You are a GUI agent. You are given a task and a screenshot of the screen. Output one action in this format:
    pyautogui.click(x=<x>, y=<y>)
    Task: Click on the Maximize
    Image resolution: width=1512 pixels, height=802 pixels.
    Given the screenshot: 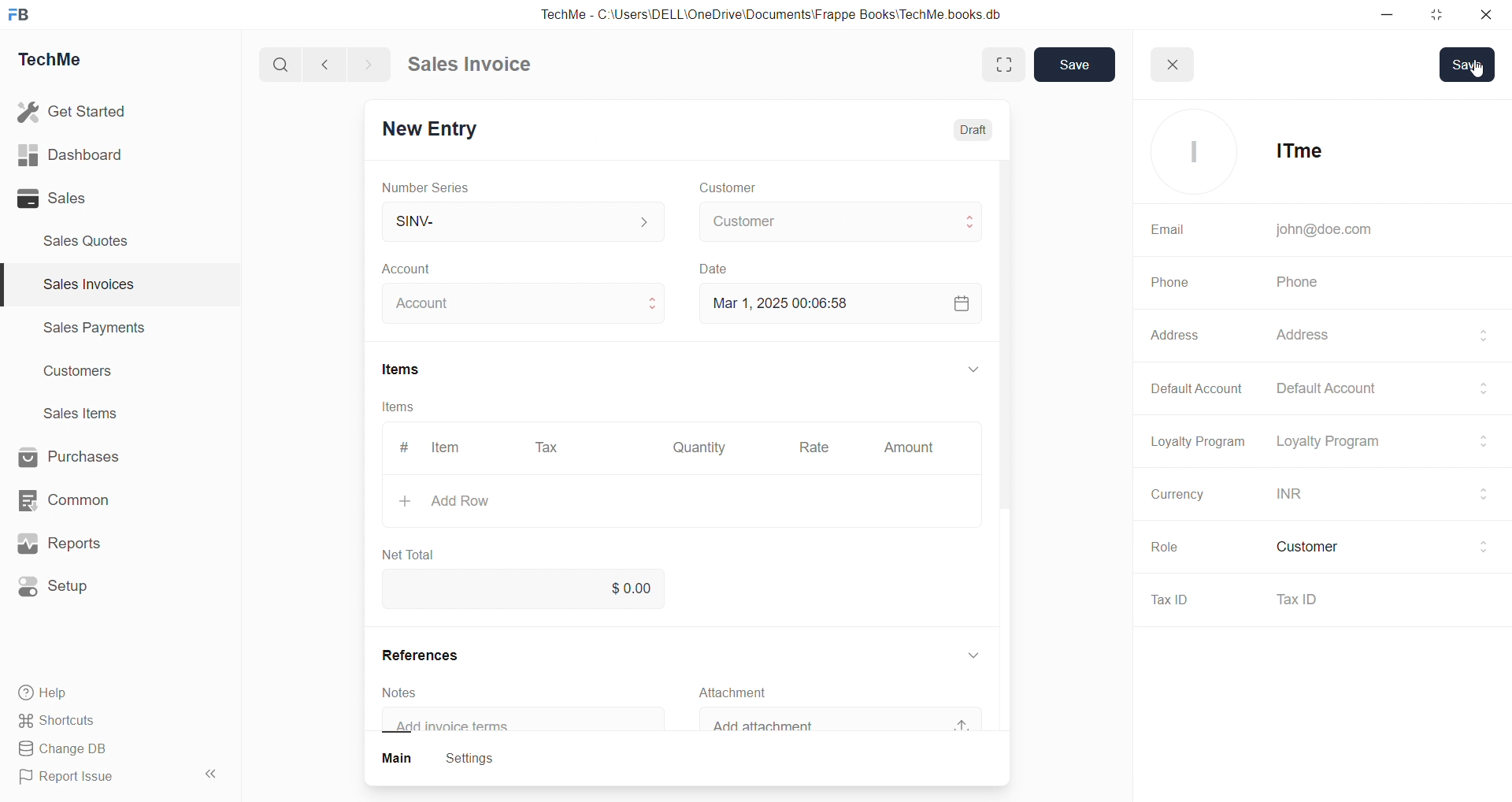 What is the action you would take?
    pyautogui.click(x=1439, y=18)
    